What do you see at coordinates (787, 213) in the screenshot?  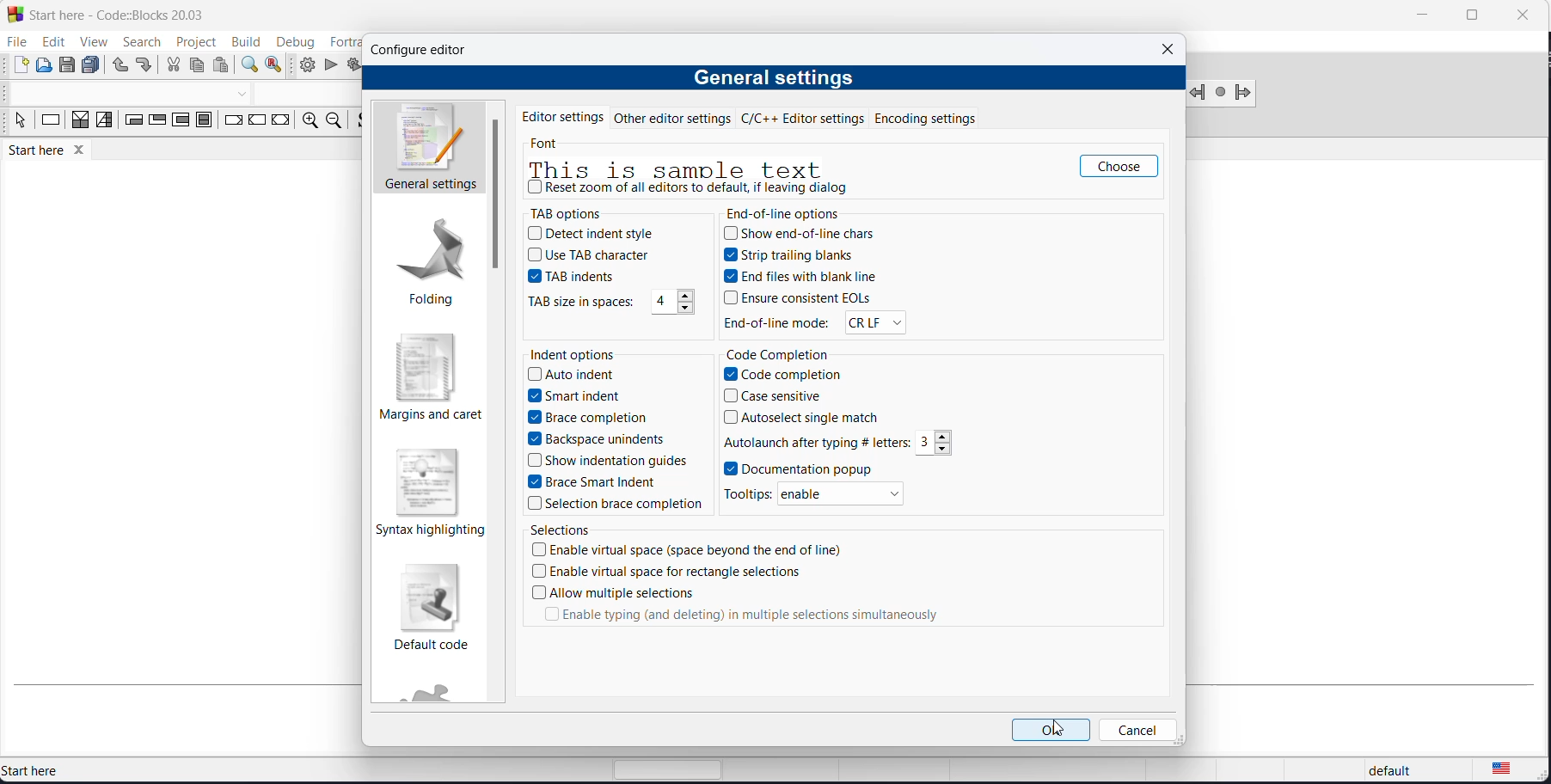 I see `end of line options` at bounding box center [787, 213].